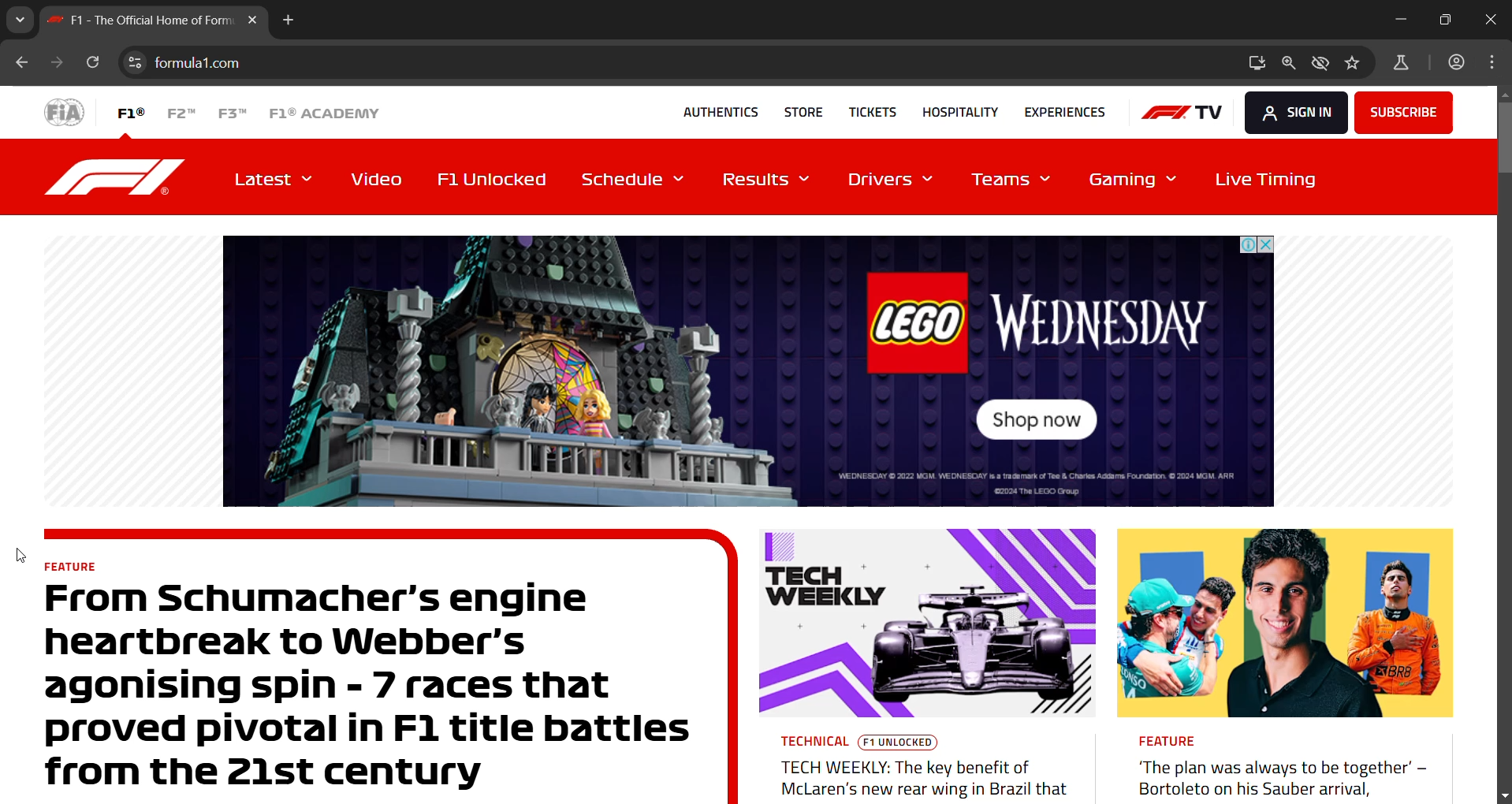  I want to click on maximize, so click(1446, 18).